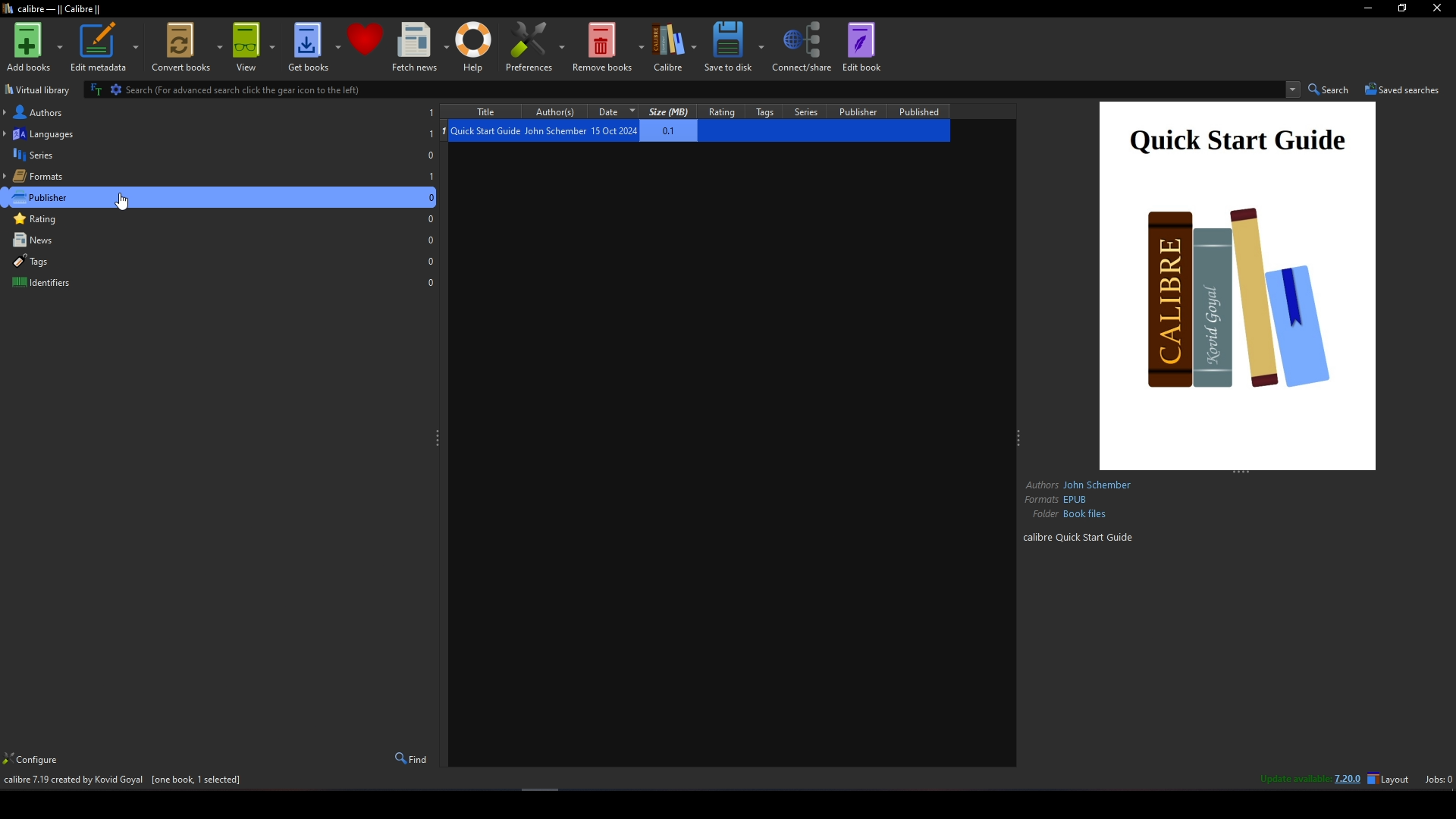 Image resolution: width=1456 pixels, height=819 pixels. Describe the element at coordinates (253, 46) in the screenshot. I see `View` at that location.